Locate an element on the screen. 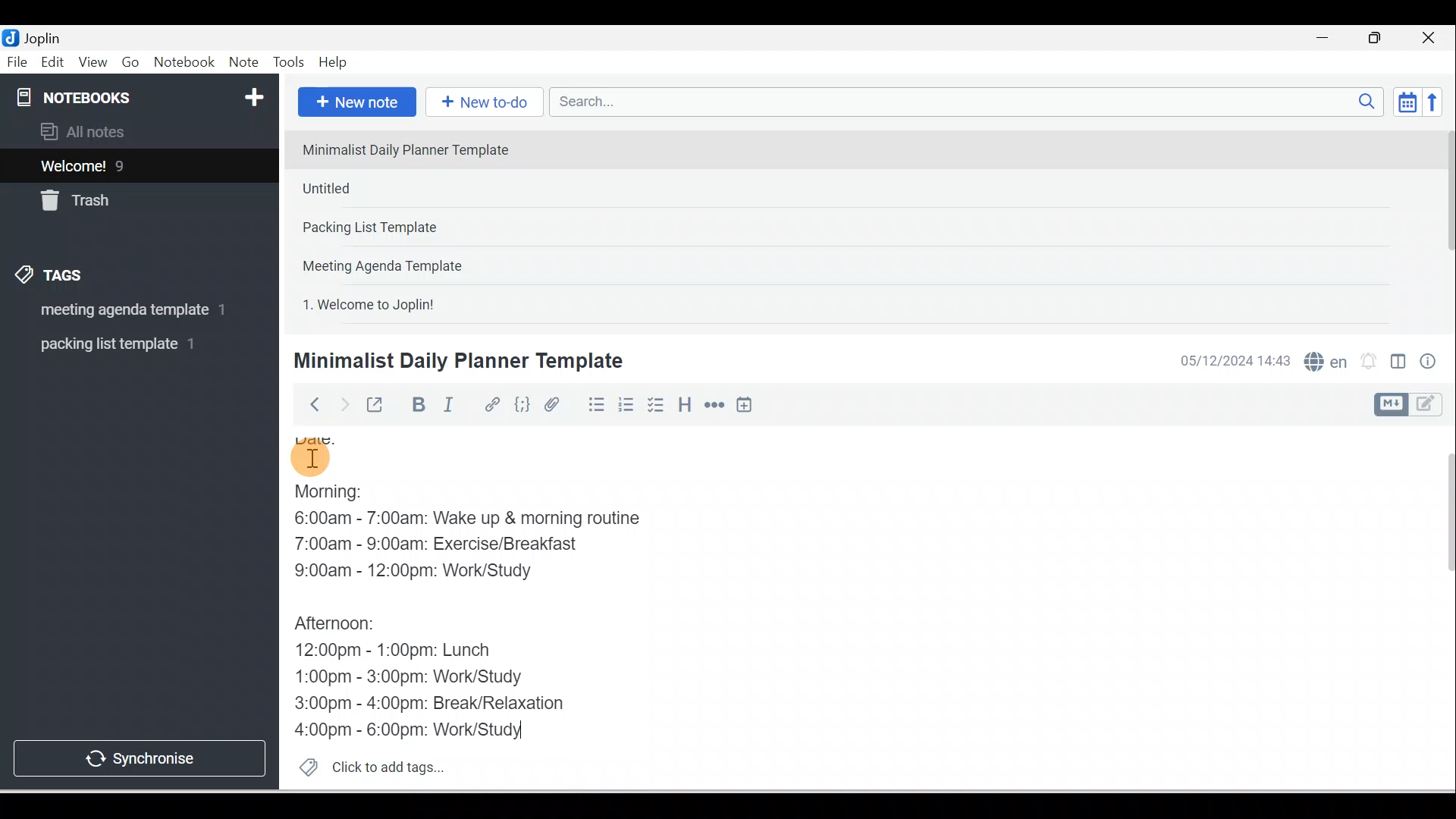 This screenshot has height=819, width=1456. Bulleted list is located at coordinates (593, 404).